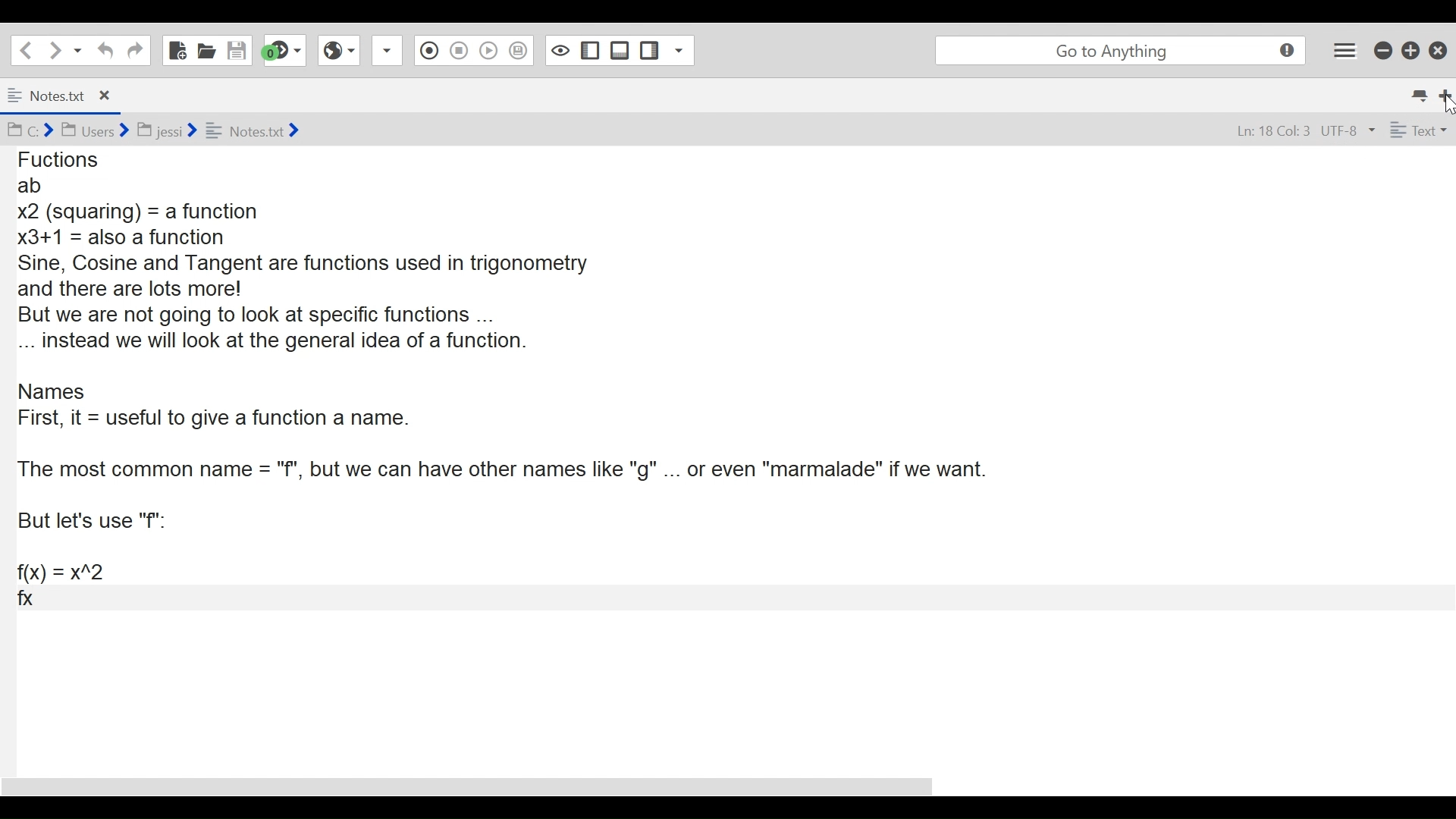 This screenshot has width=1456, height=819. What do you see at coordinates (683, 50) in the screenshot?
I see `Show Specific Sidebar` at bounding box center [683, 50].